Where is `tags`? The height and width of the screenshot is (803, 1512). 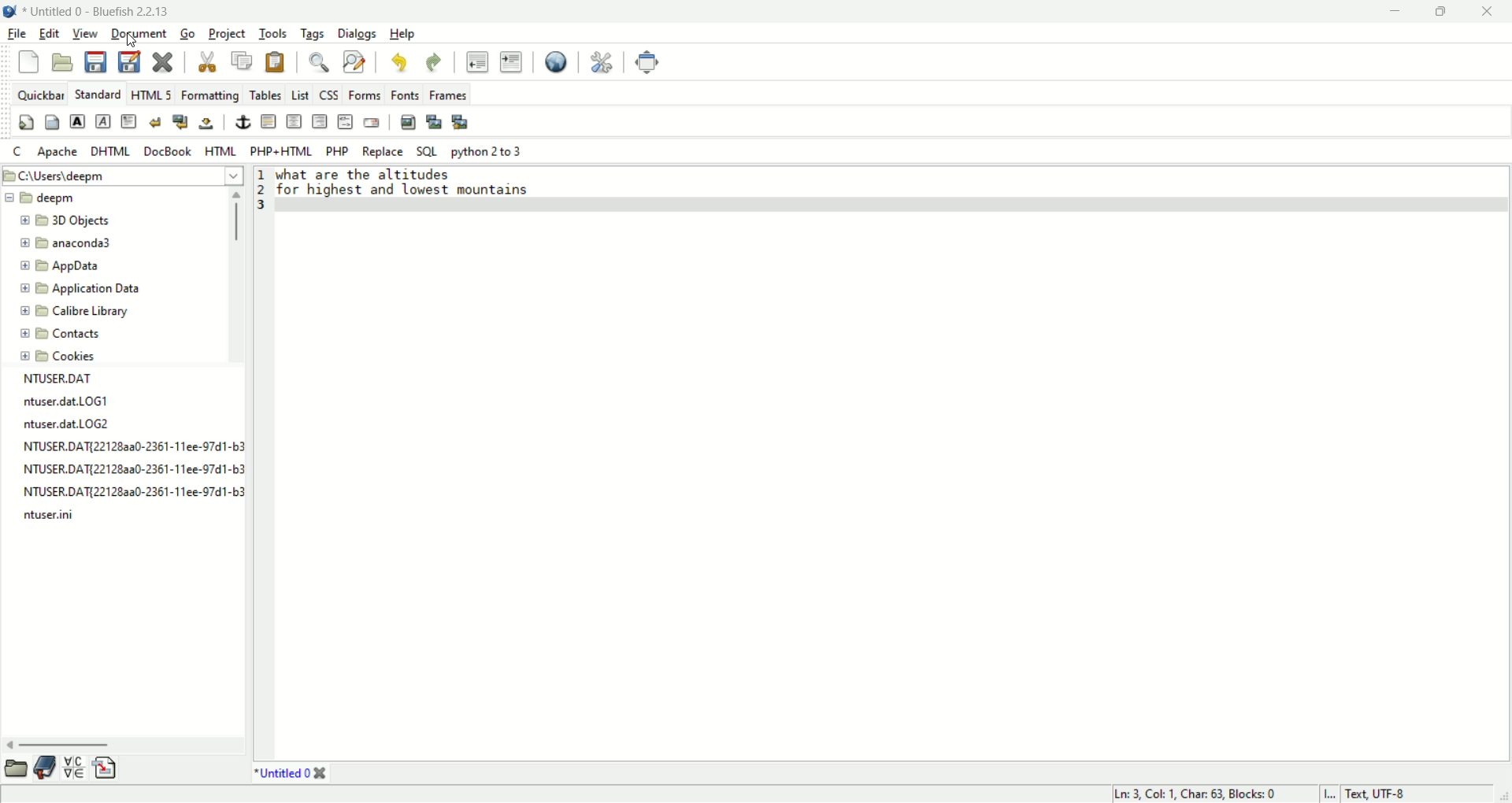
tags is located at coordinates (313, 34).